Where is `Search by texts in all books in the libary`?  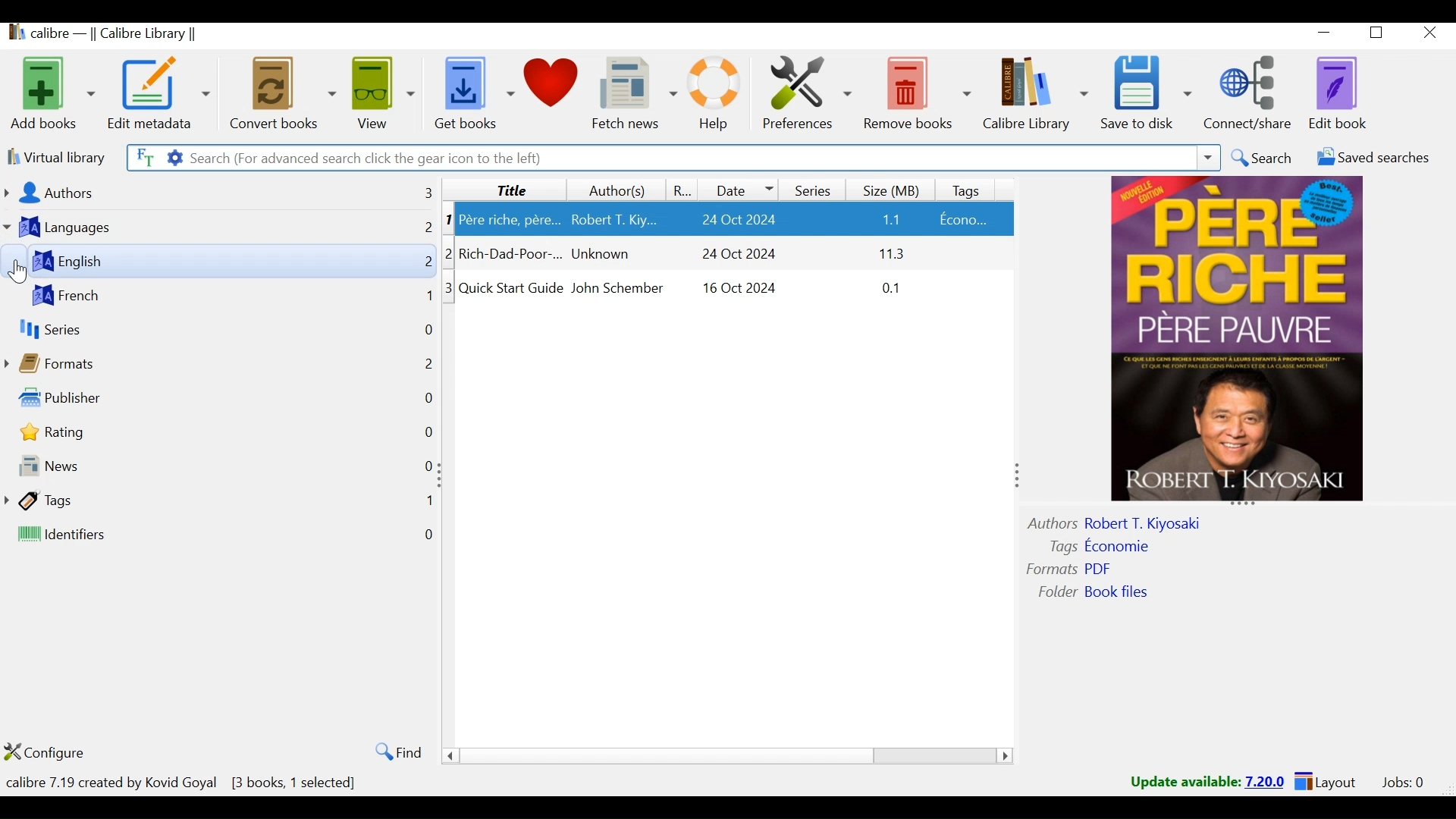
Search by texts in all books in the libary is located at coordinates (142, 156).